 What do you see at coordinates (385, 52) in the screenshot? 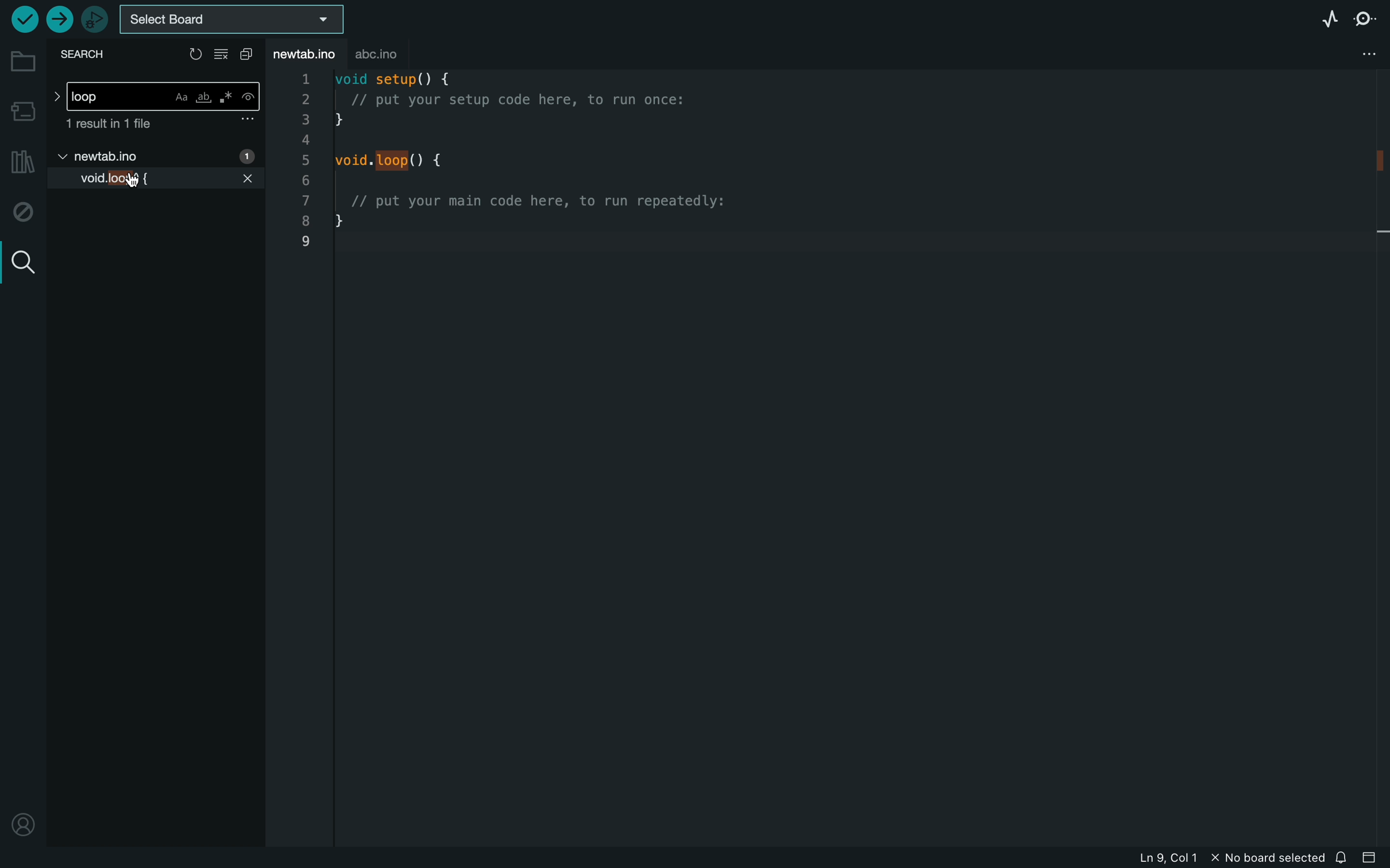
I see `abc` at bounding box center [385, 52].